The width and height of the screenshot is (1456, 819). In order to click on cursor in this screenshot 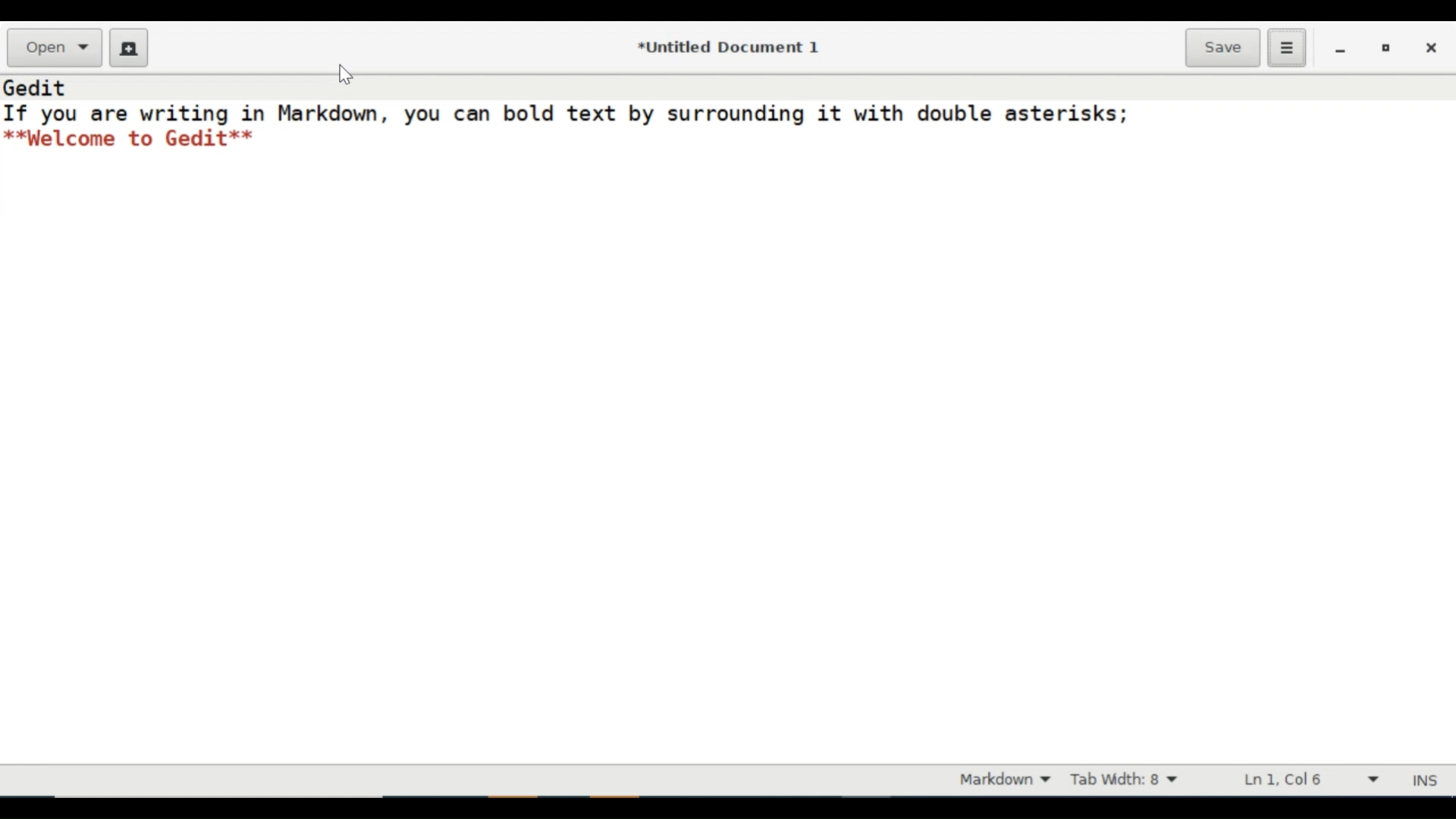, I will do `click(342, 74)`.